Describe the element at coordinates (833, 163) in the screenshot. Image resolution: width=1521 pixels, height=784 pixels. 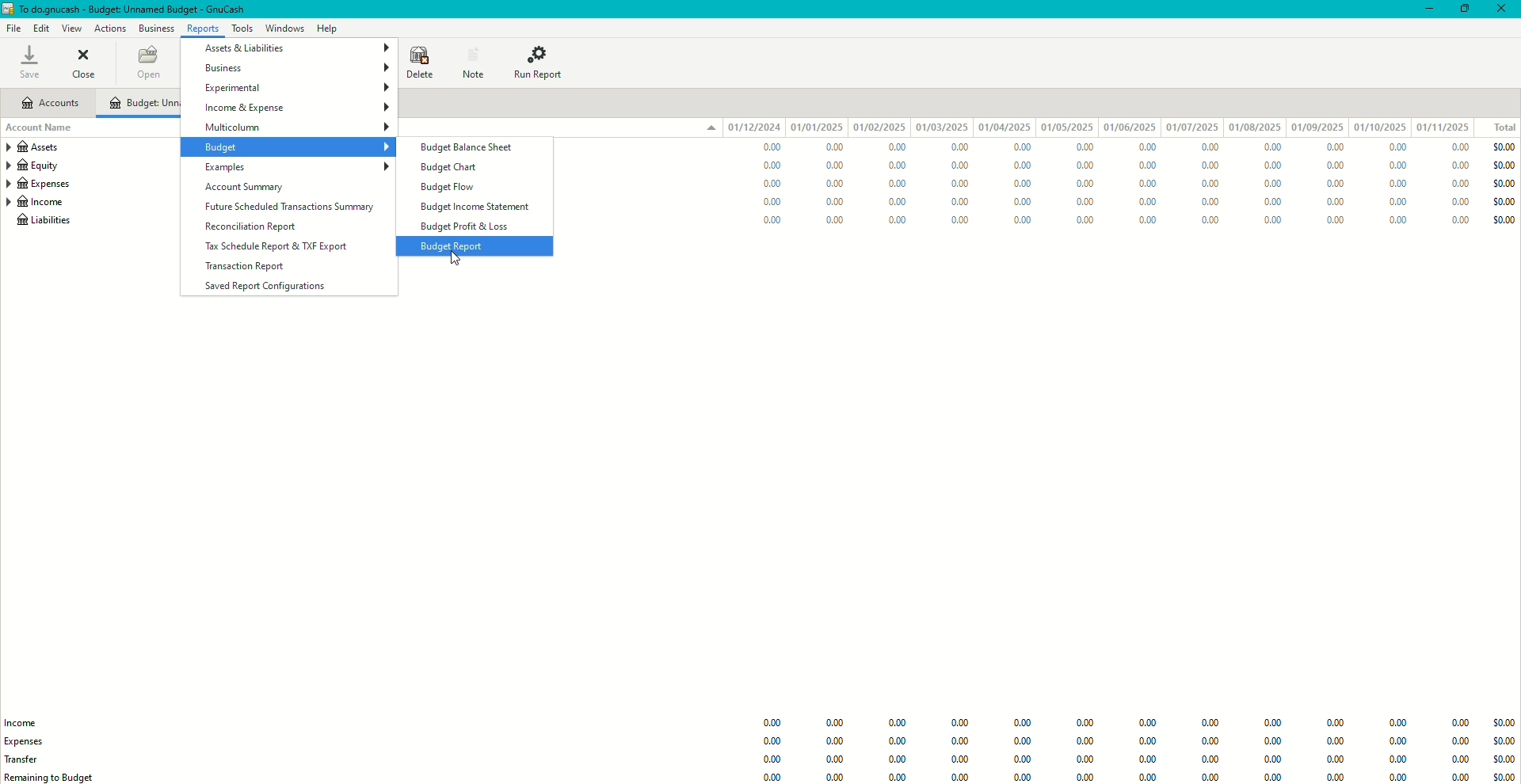
I see `0.00` at that location.